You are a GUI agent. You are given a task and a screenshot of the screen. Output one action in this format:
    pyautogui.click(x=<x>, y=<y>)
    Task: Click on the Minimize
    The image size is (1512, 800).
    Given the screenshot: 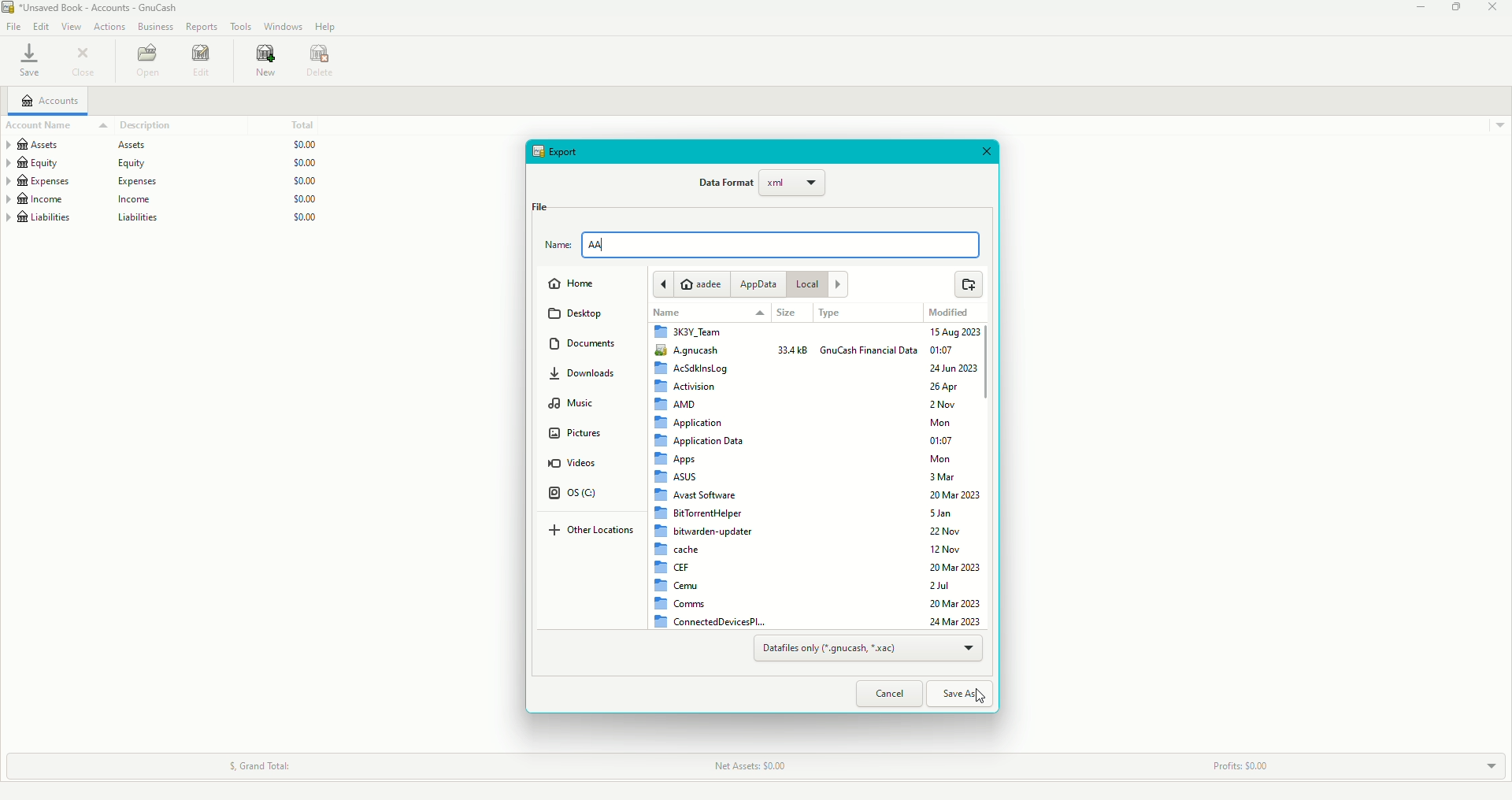 What is the action you would take?
    pyautogui.click(x=1421, y=9)
    